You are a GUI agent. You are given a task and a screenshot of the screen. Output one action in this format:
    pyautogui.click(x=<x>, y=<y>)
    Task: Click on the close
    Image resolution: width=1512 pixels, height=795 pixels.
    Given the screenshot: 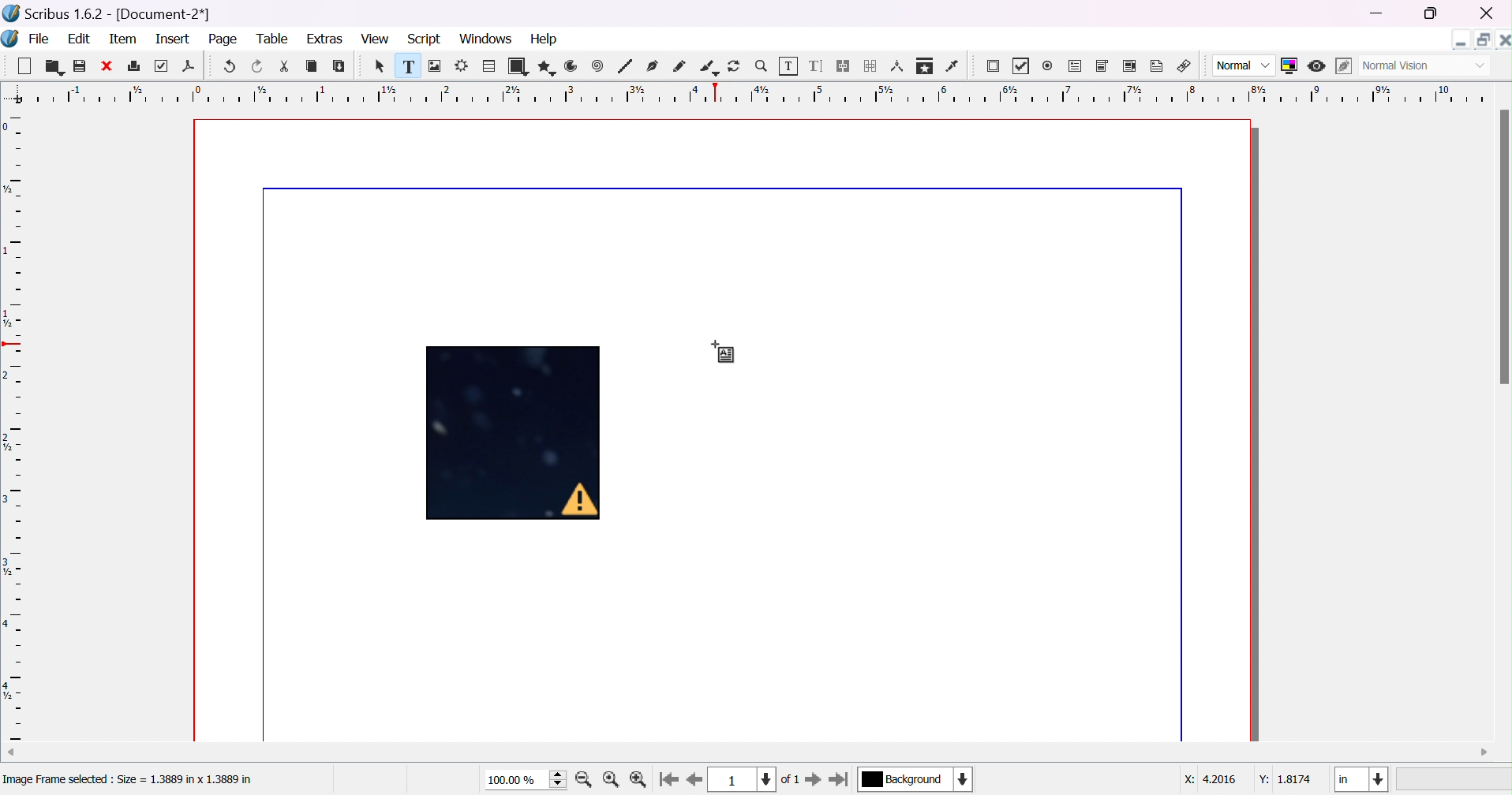 What is the action you would take?
    pyautogui.click(x=1503, y=38)
    